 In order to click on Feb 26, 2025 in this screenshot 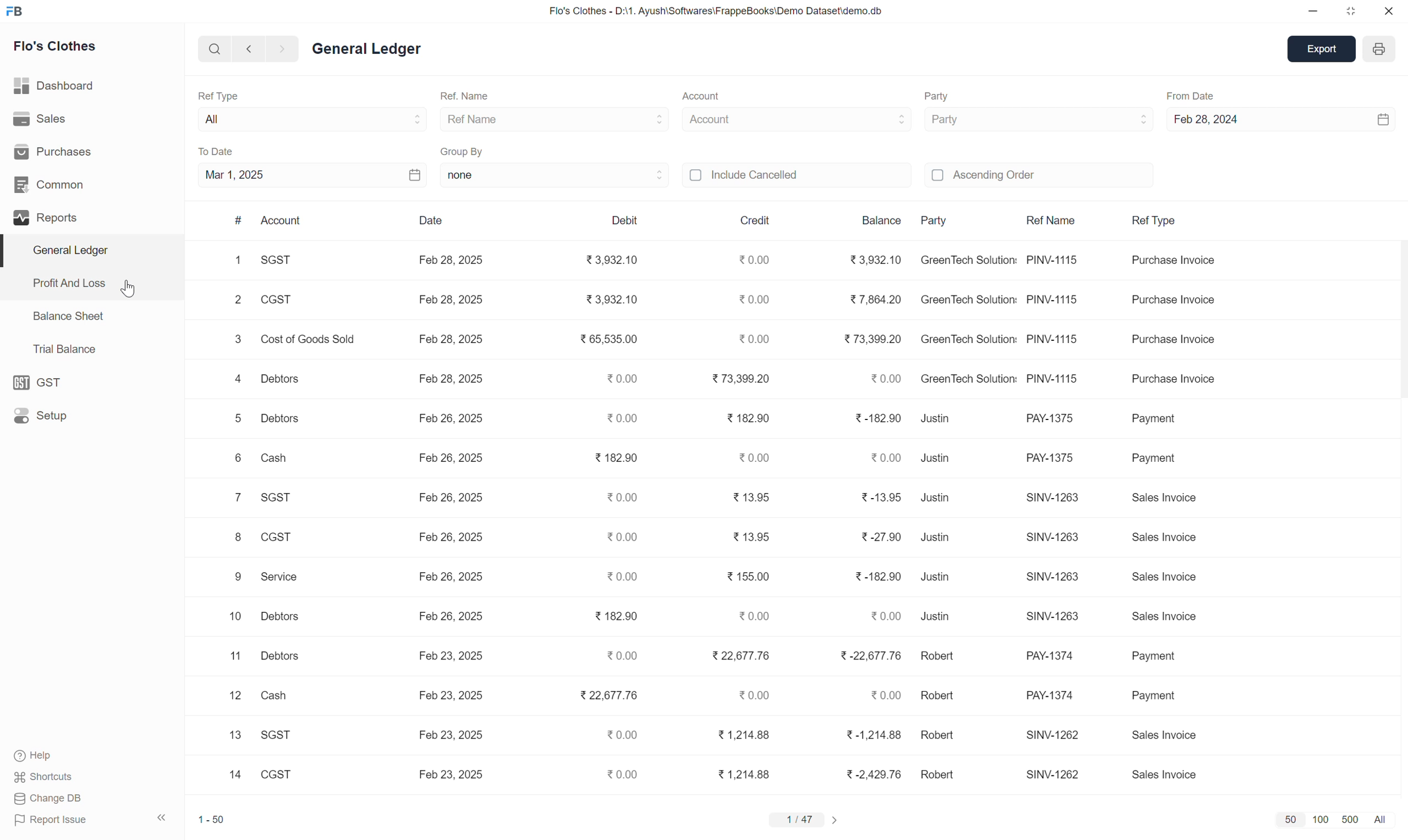, I will do `click(447, 537)`.